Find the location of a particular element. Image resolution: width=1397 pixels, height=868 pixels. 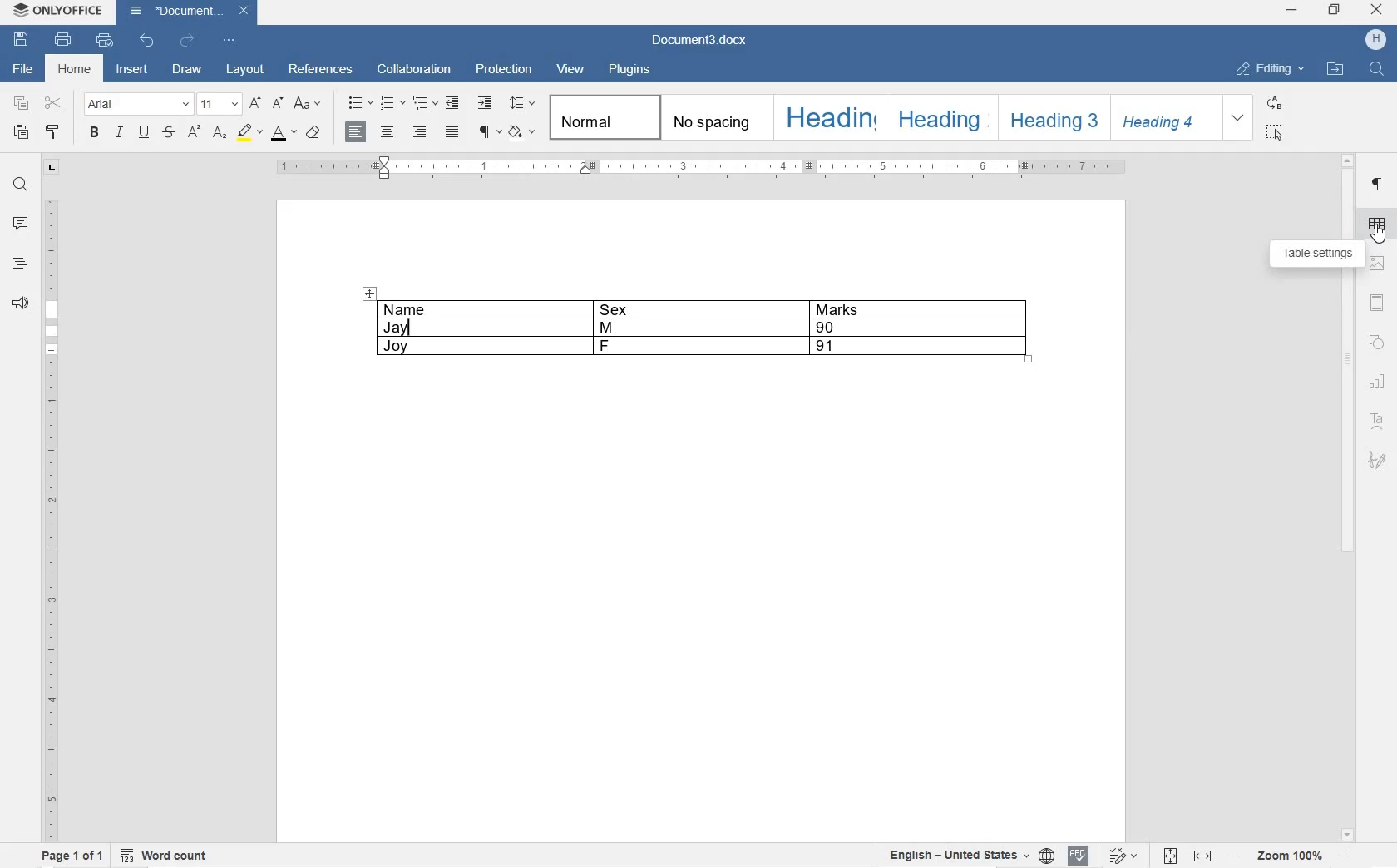

SHAPE is located at coordinates (1378, 343).